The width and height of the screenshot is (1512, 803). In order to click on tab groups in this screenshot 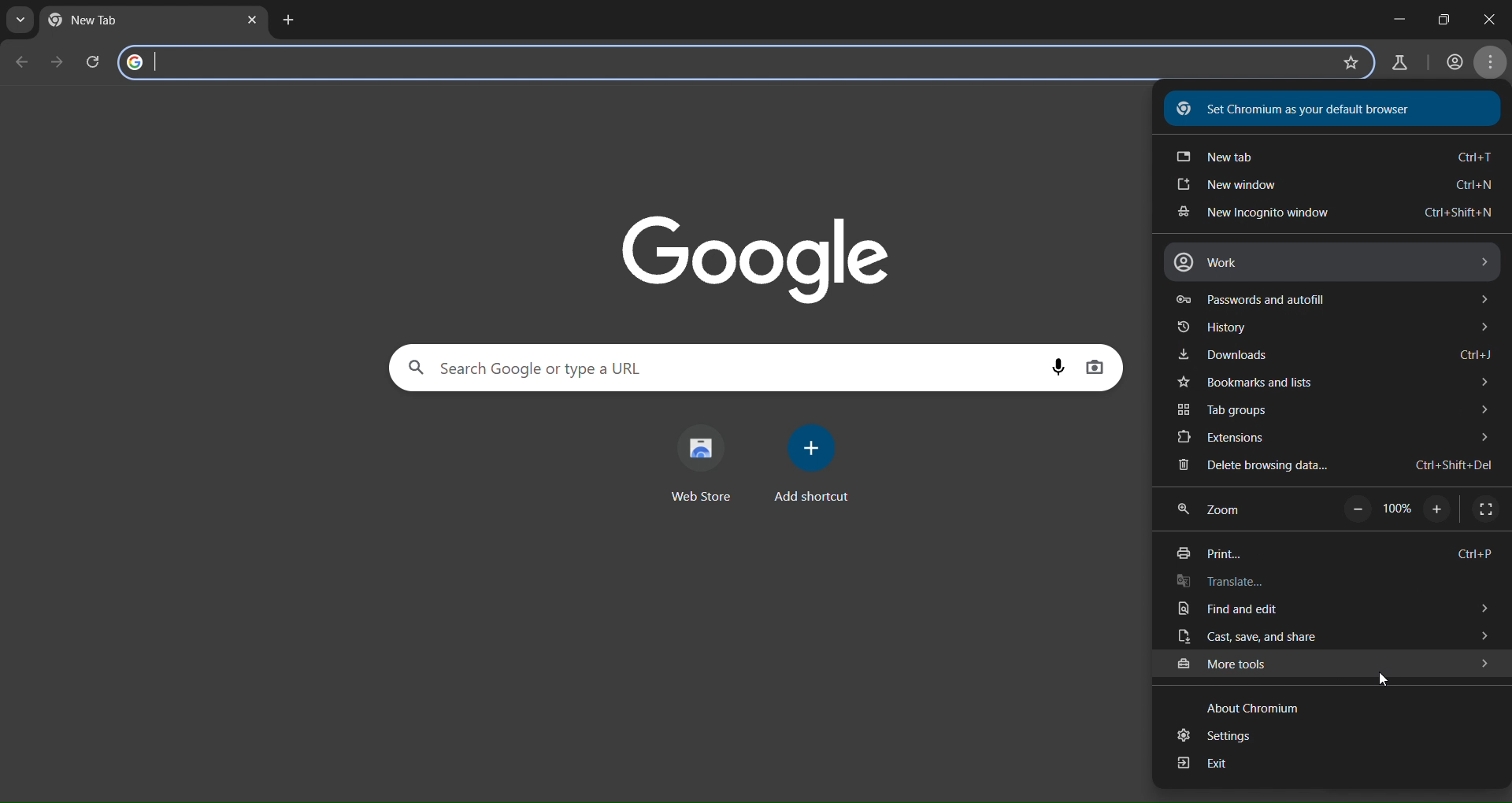, I will do `click(1340, 412)`.